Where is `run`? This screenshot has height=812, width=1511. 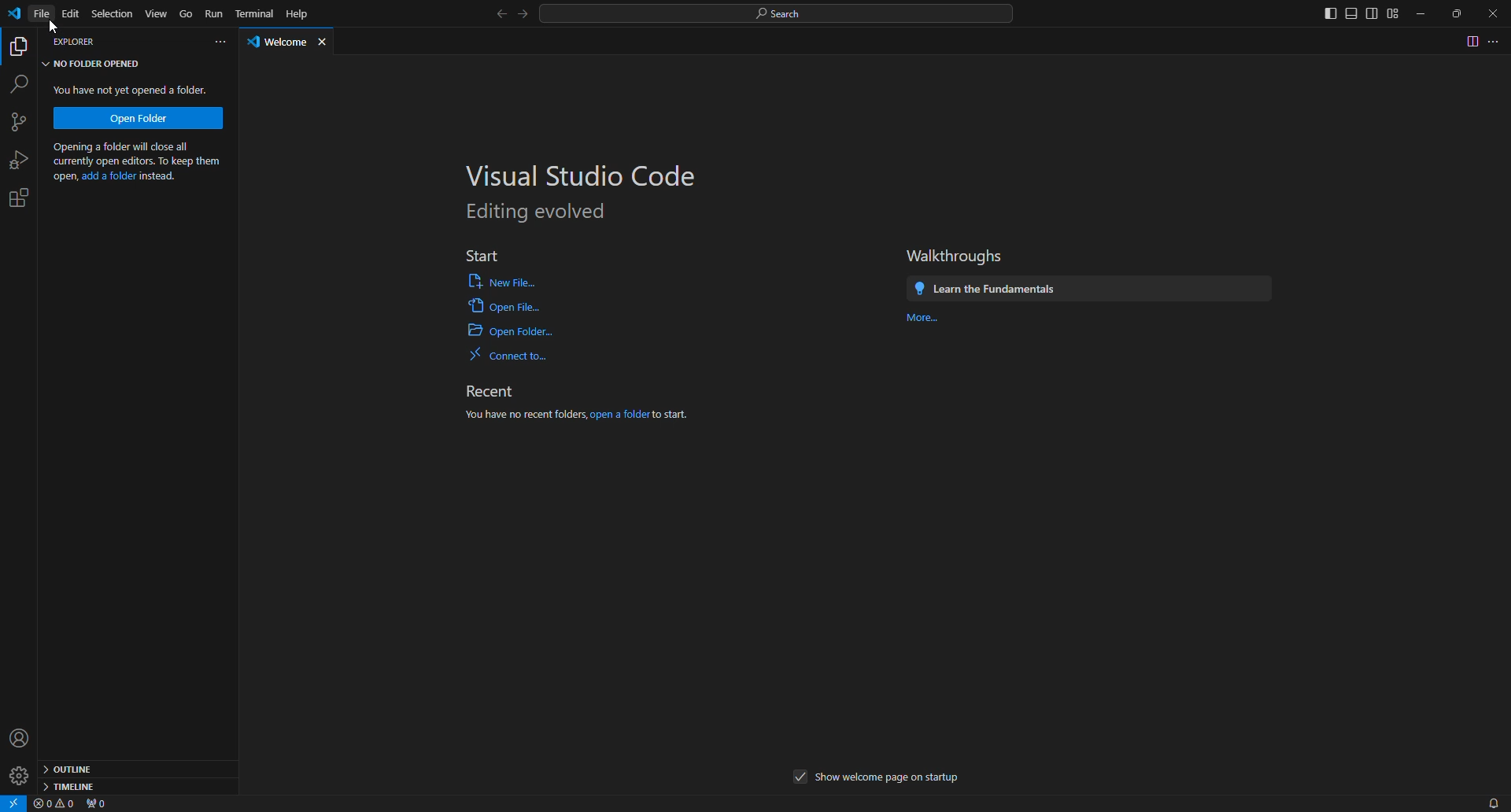
run is located at coordinates (215, 14).